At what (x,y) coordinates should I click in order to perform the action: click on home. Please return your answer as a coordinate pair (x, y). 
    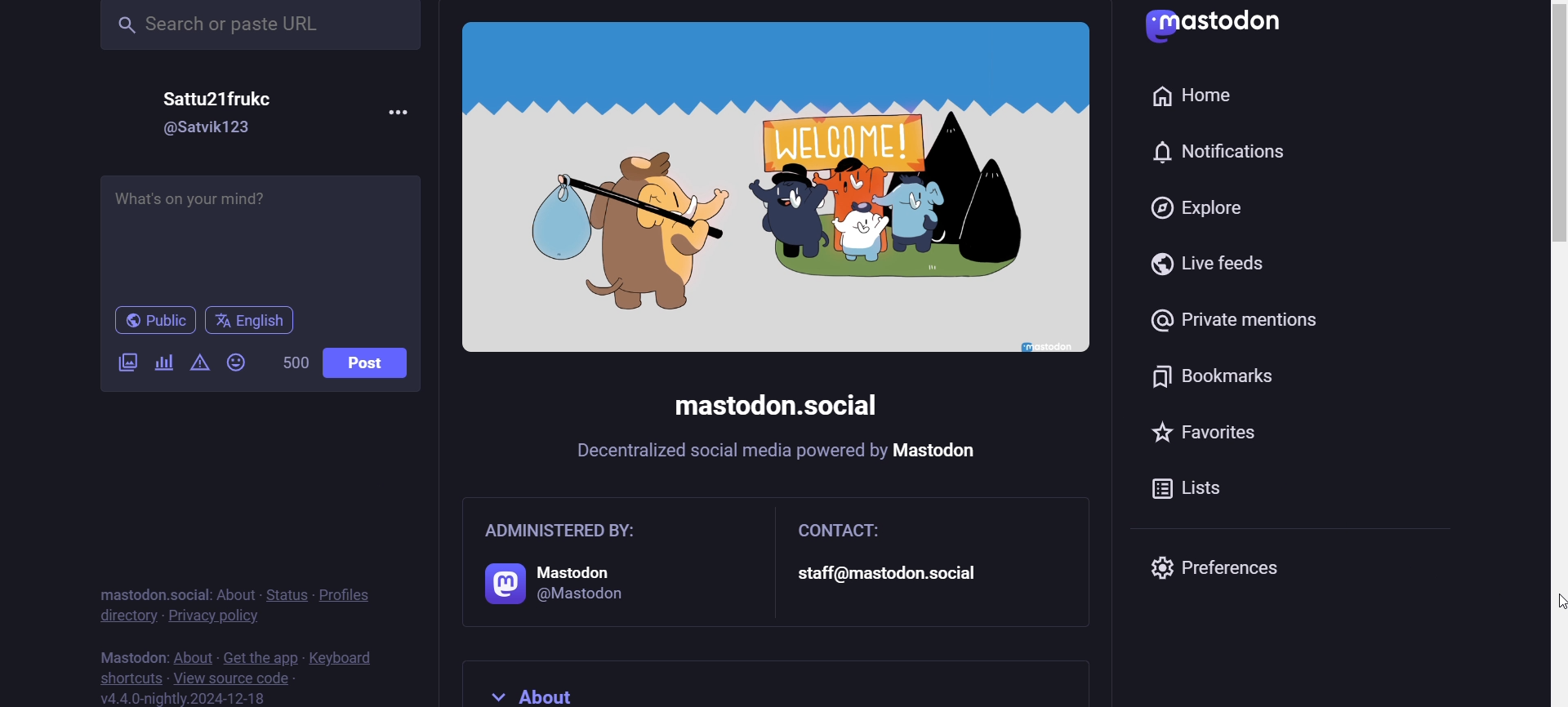
    Looking at the image, I should click on (1197, 98).